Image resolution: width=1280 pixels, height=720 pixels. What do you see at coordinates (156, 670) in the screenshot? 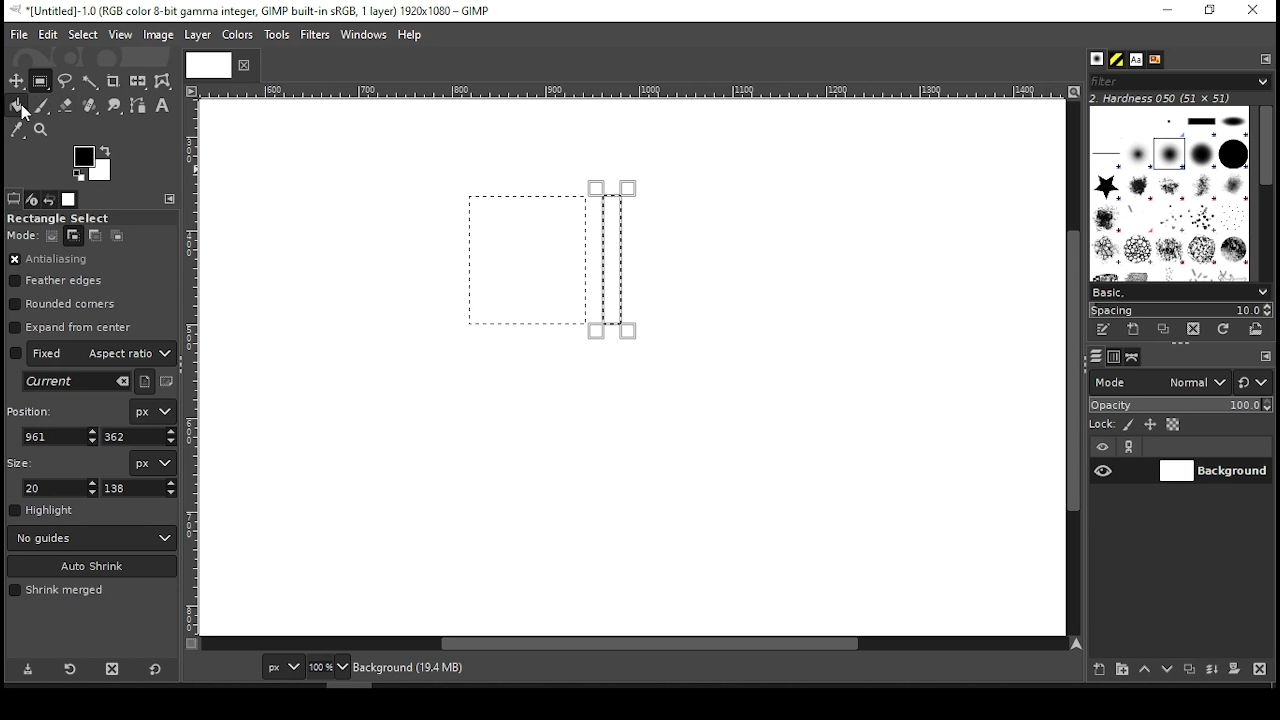
I see `reset to defaults` at bounding box center [156, 670].